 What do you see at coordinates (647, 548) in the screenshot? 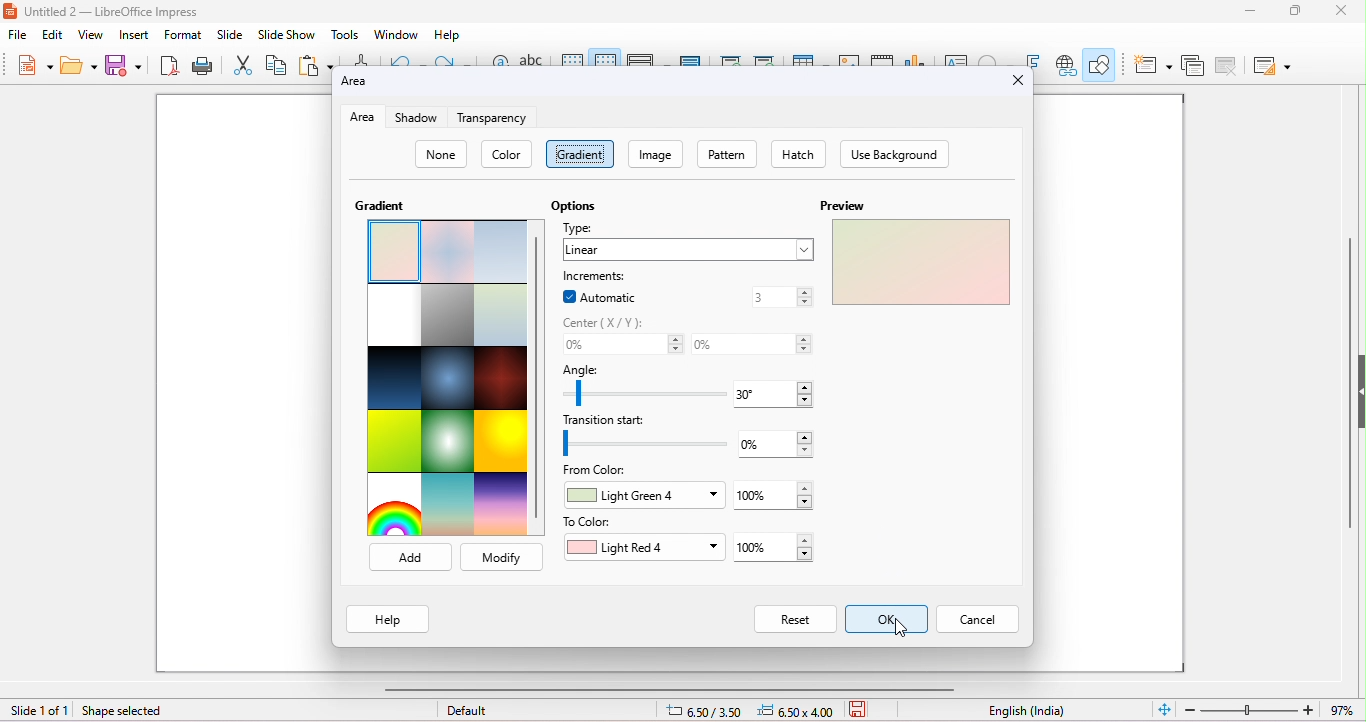
I see `To color options` at bounding box center [647, 548].